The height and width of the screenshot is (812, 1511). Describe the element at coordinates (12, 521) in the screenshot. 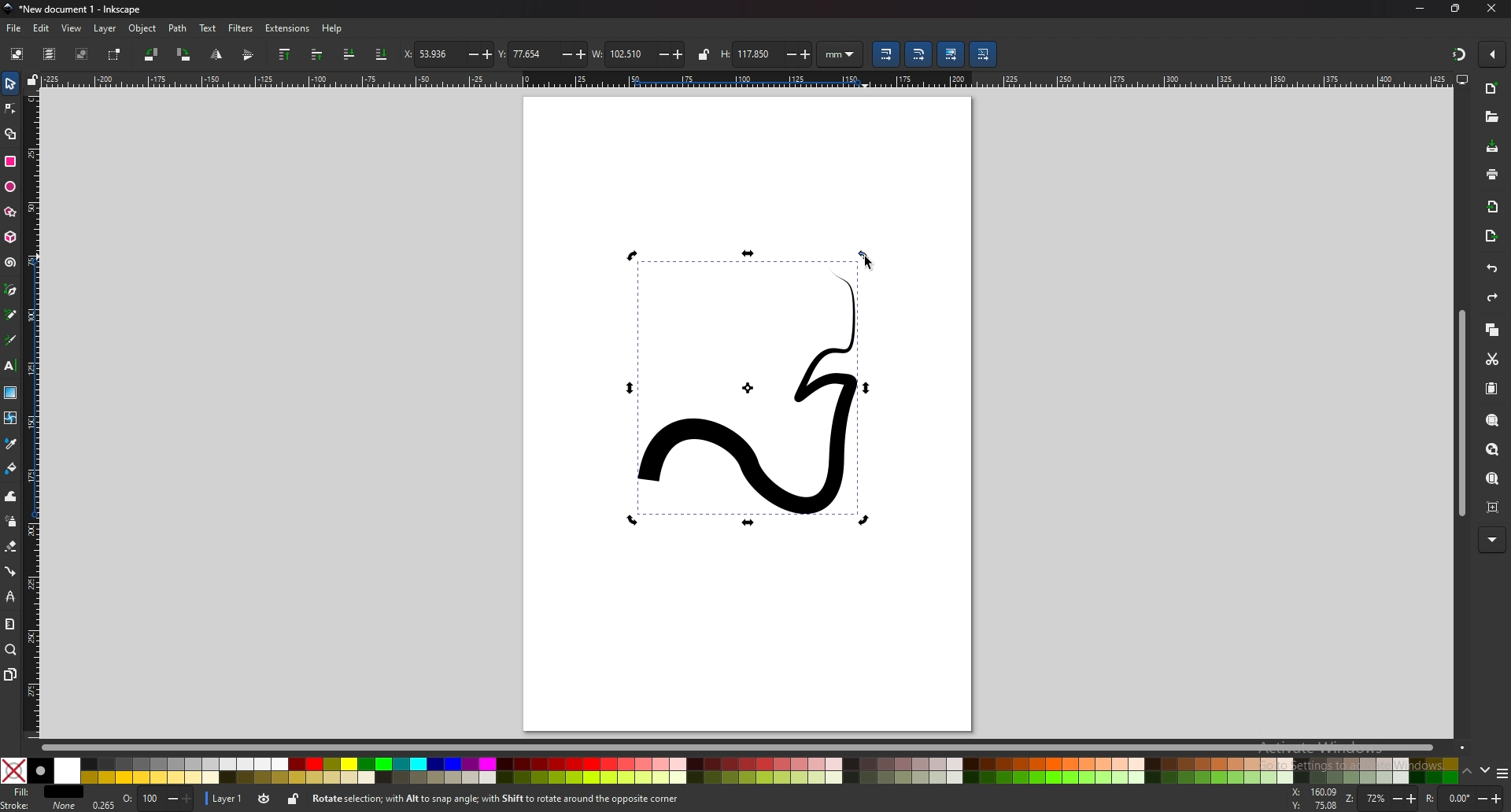

I see `spray` at that location.